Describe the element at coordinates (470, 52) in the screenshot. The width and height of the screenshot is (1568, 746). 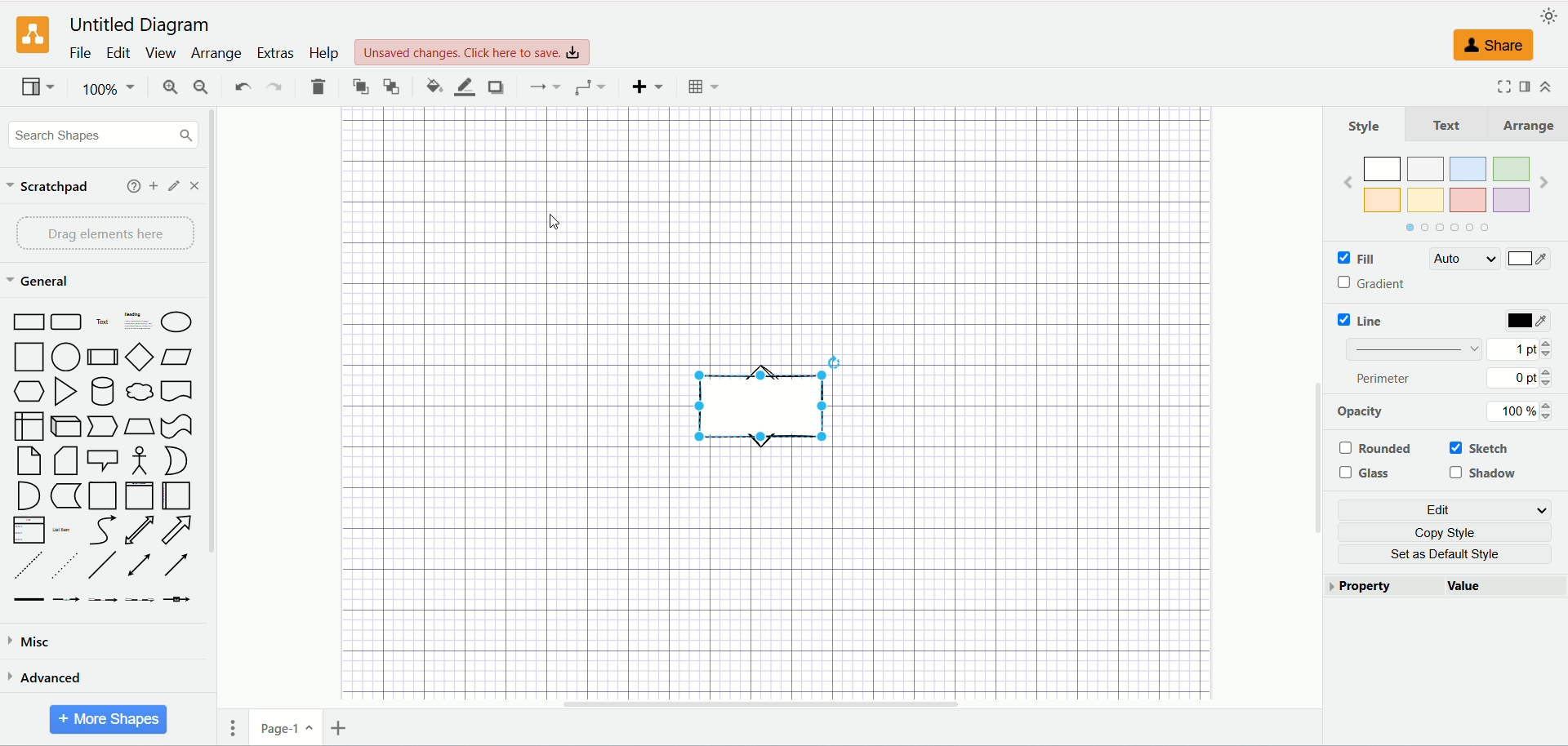
I see `click here to save` at that location.